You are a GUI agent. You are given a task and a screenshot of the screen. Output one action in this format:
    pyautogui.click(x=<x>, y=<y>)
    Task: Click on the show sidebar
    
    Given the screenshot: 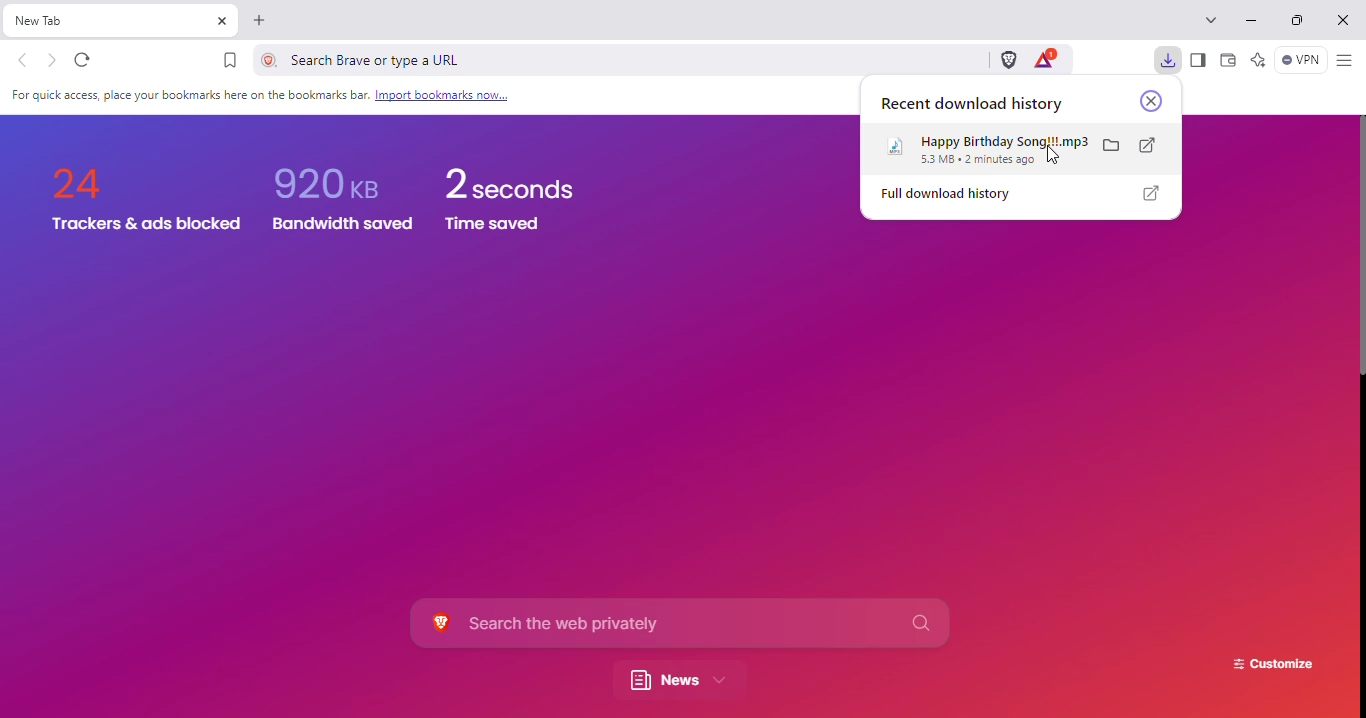 What is the action you would take?
    pyautogui.click(x=1199, y=60)
    